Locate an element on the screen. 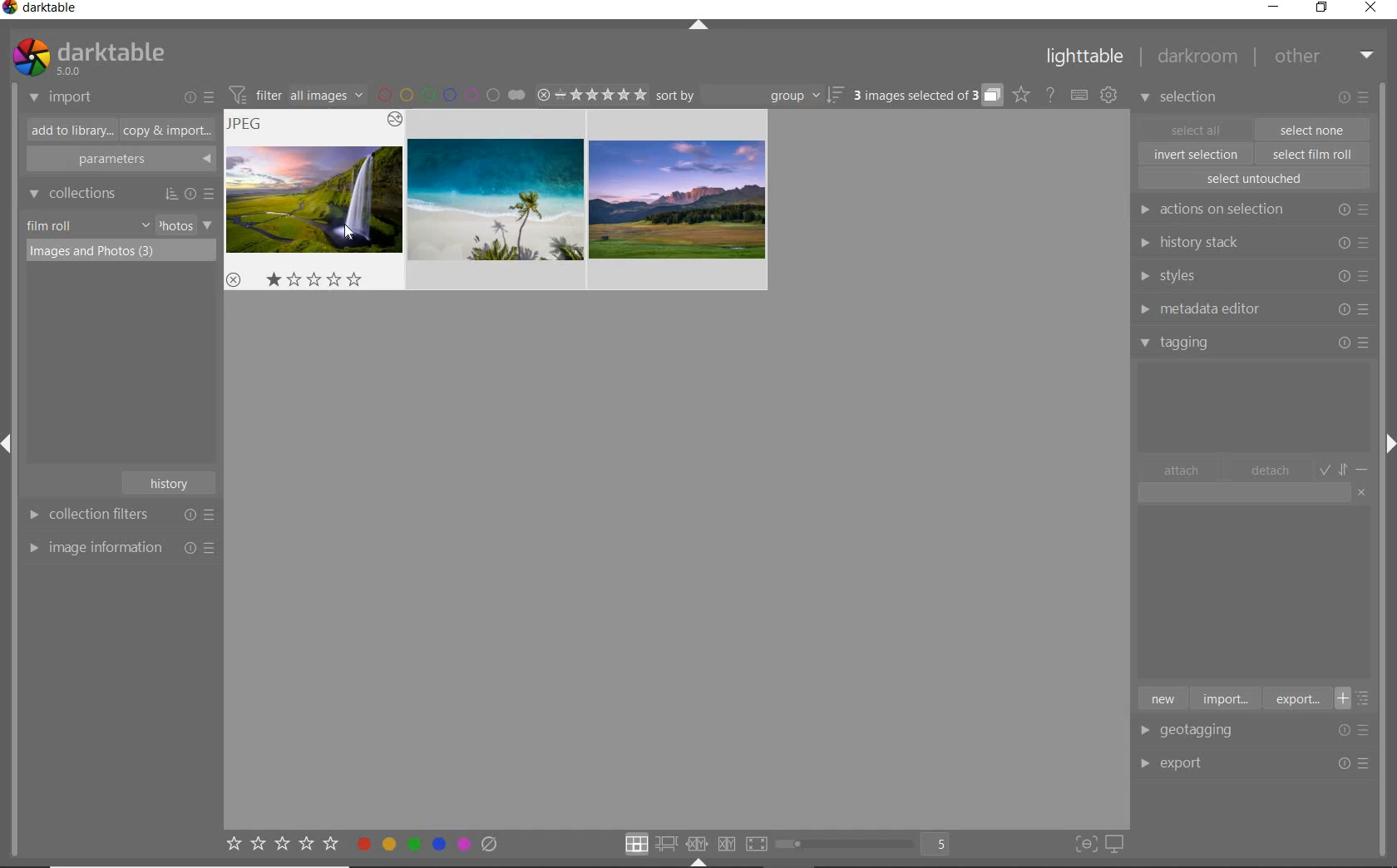  Expand is located at coordinates (13, 447).